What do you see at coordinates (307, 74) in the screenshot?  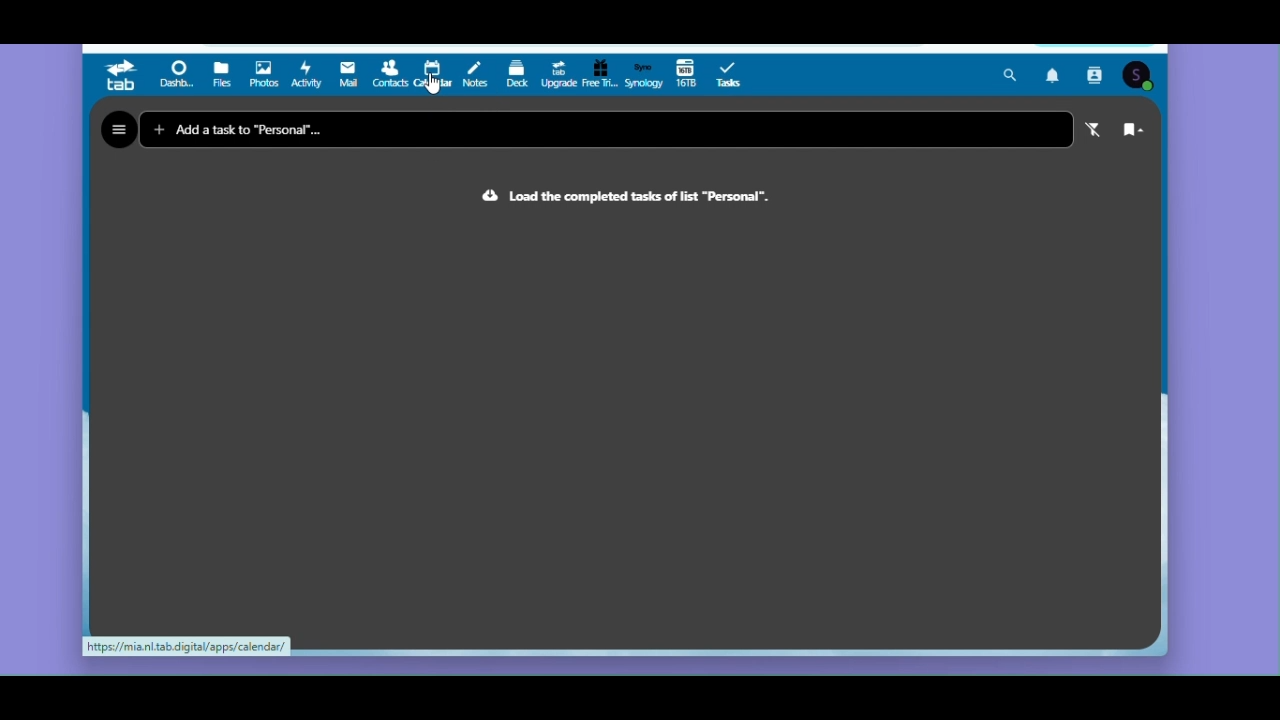 I see `Activity` at bounding box center [307, 74].